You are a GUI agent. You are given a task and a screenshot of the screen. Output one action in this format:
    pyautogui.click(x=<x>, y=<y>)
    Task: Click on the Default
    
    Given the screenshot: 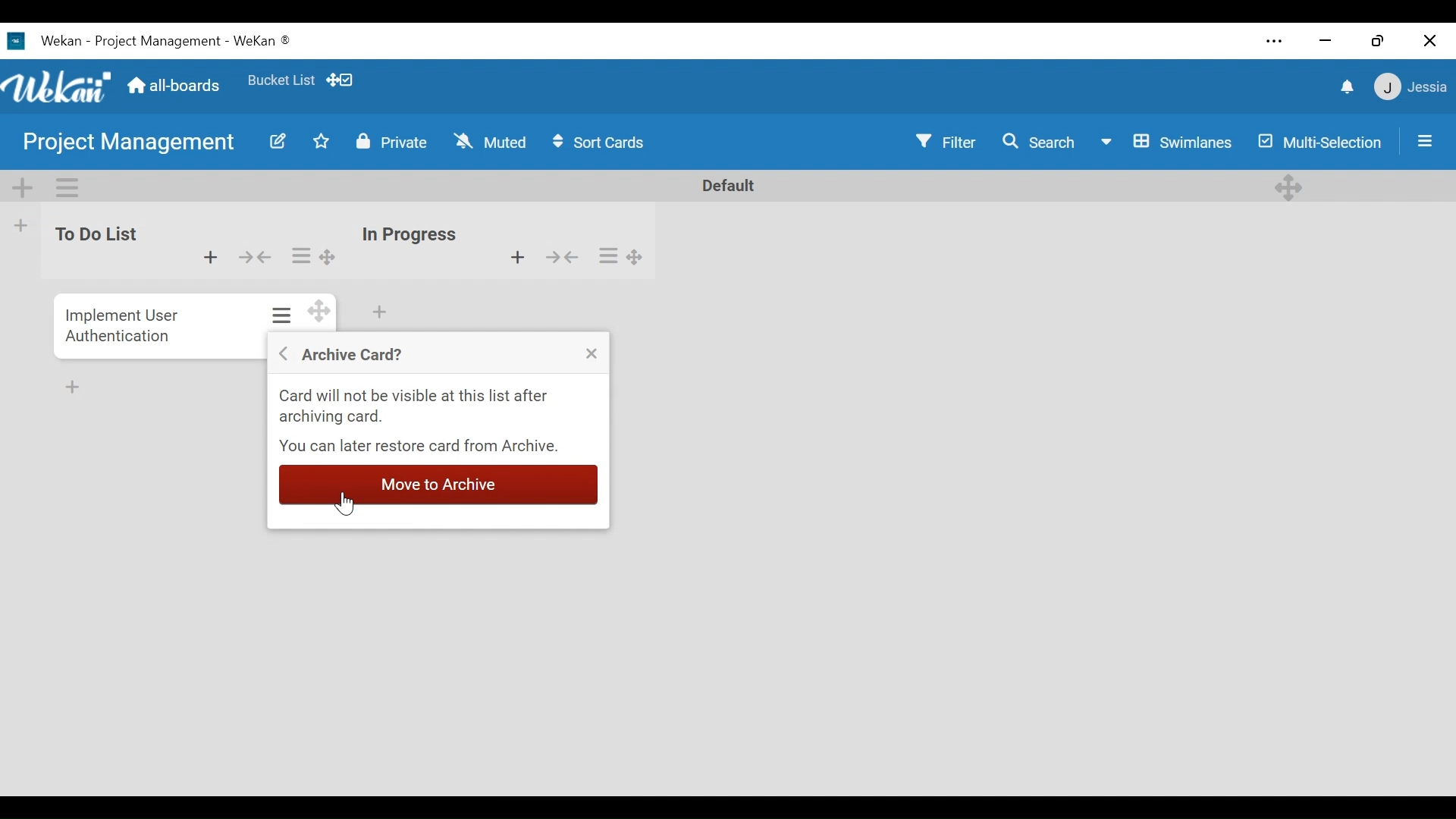 What is the action you would take?
    pyautogui.click(x=724, y=185)
    